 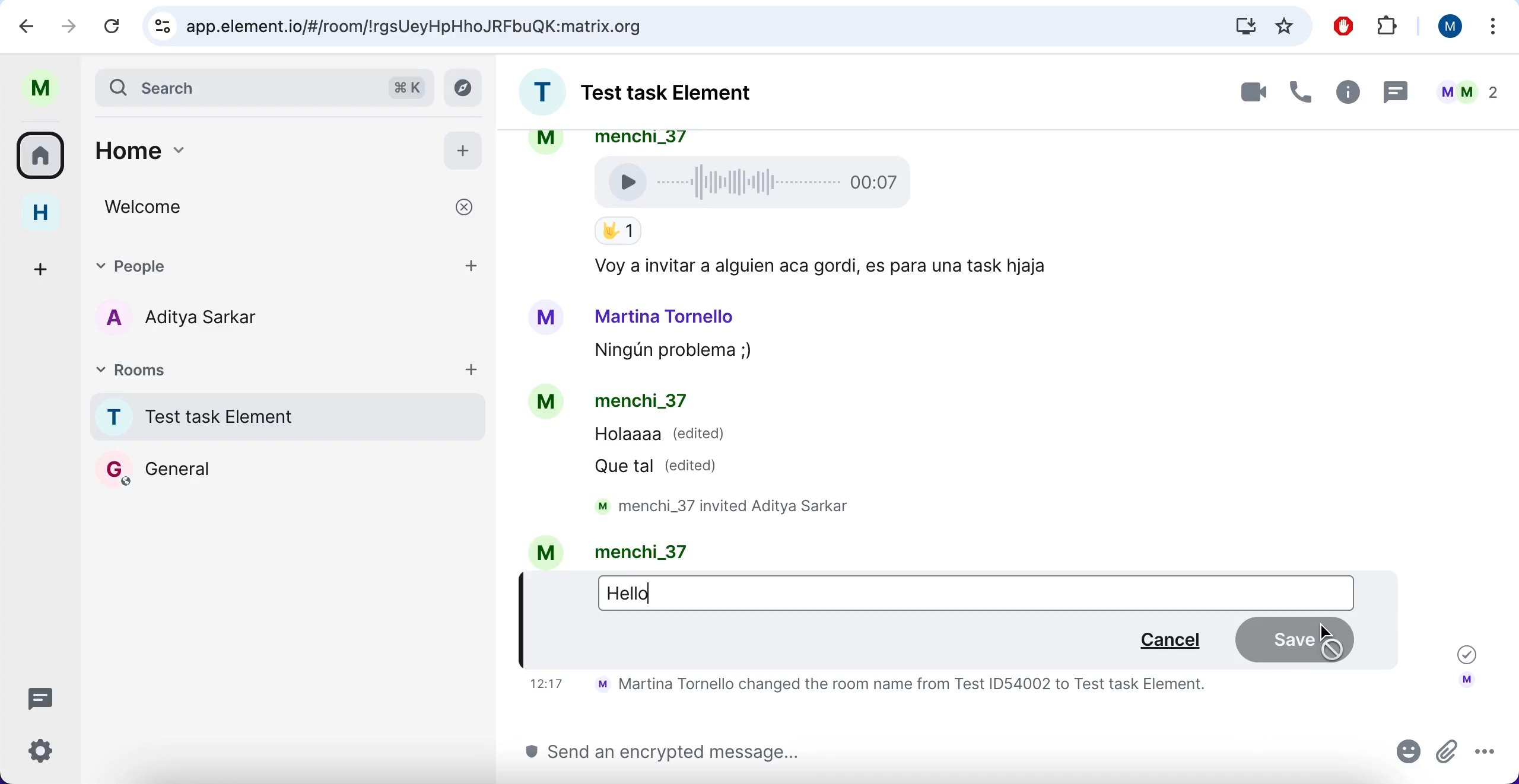 What do you see at coordinates (41, 749) in the screenshot?
I see `quick settings` at bounding box center [41, 749].